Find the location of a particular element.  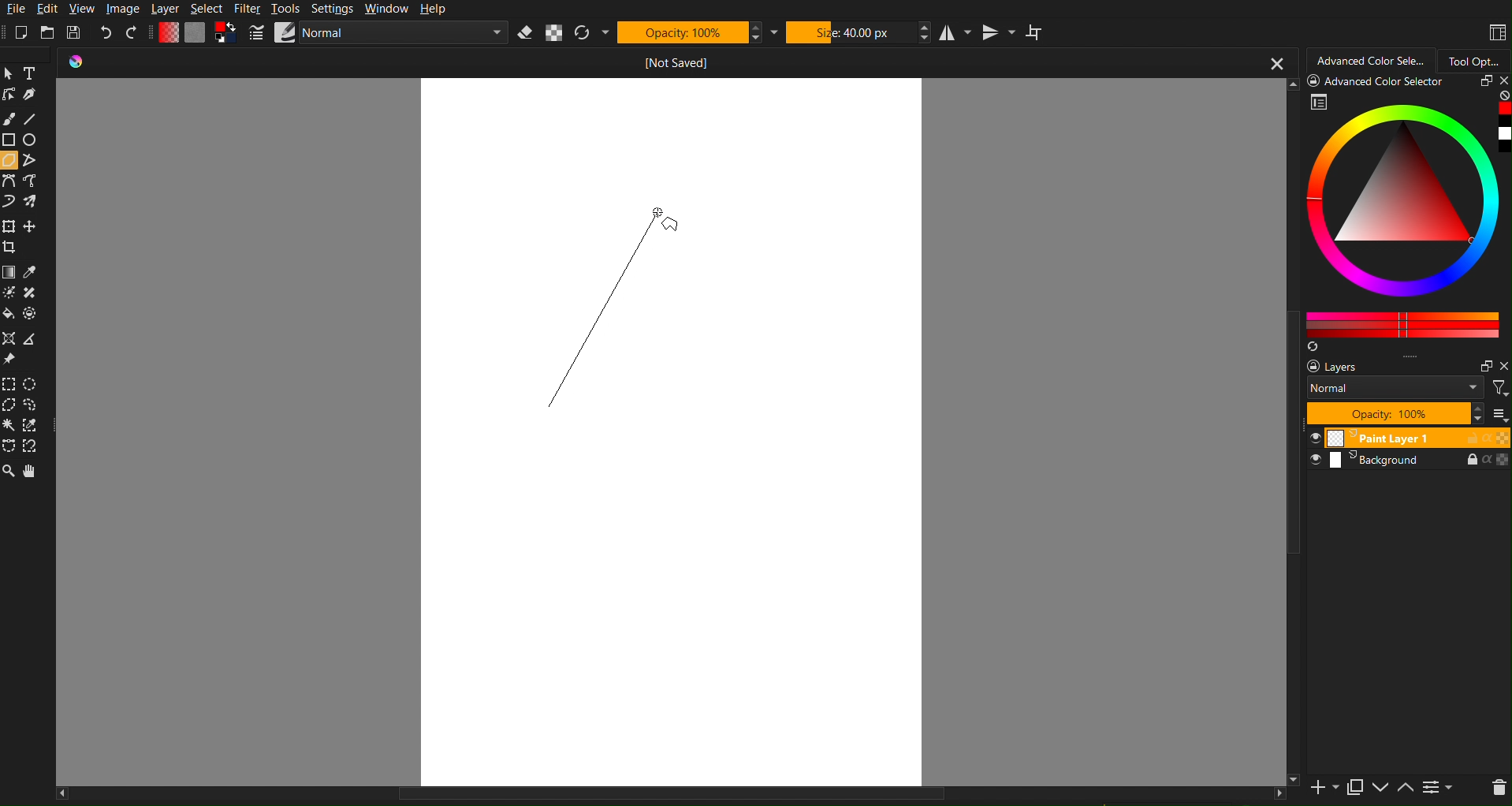

Brush Settings is located at coordinates (380, 34).